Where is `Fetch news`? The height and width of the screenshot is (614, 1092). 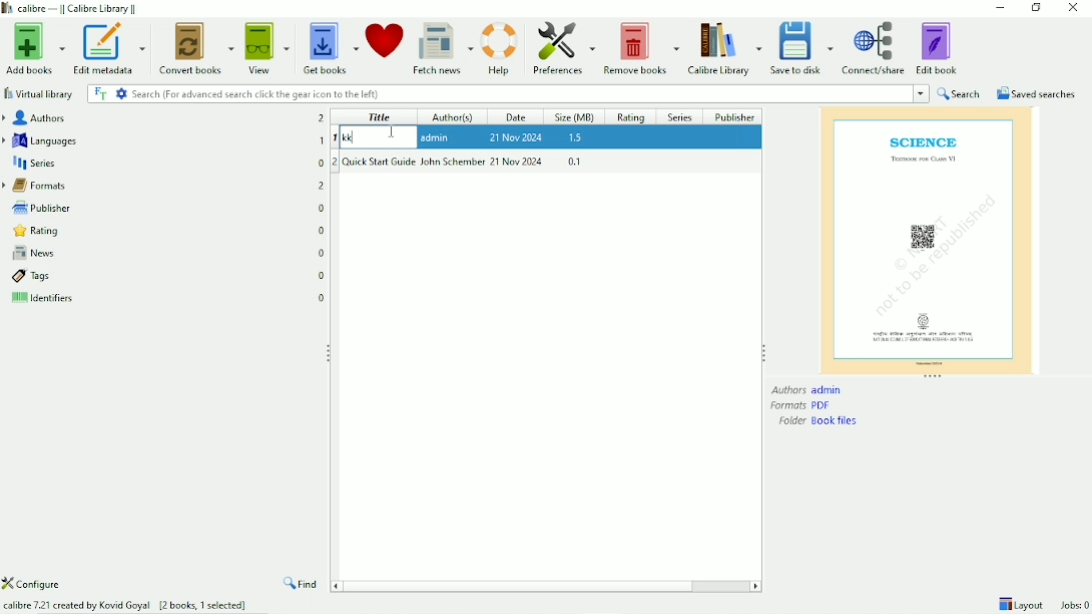 Fetch news is located at coordinates (442, 49).